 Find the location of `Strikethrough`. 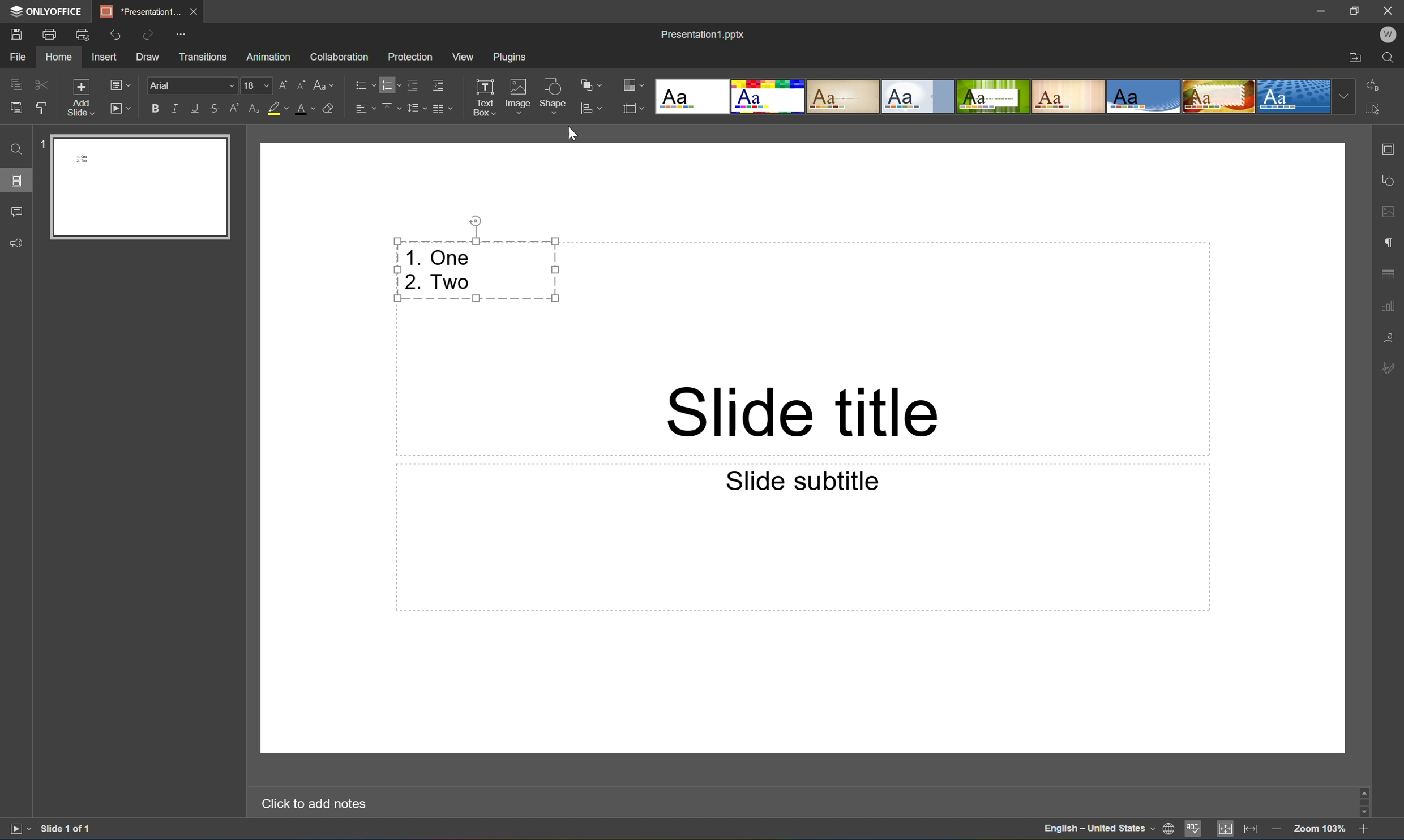

Strikethrough is located at coordinates (215, 108).